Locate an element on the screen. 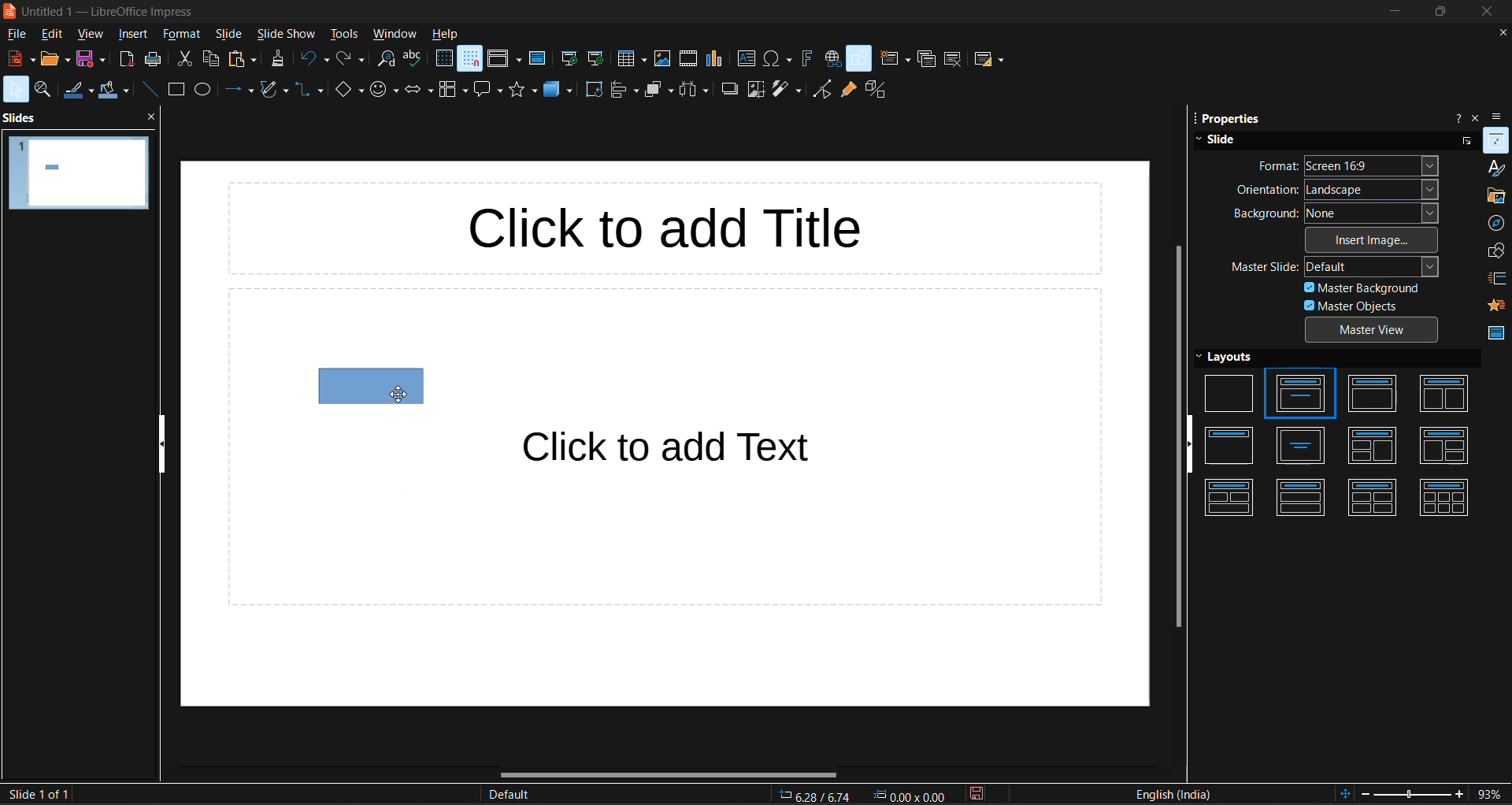 This screenshot has height=805, width=1512. slide is located at coordinates (1222, 140).